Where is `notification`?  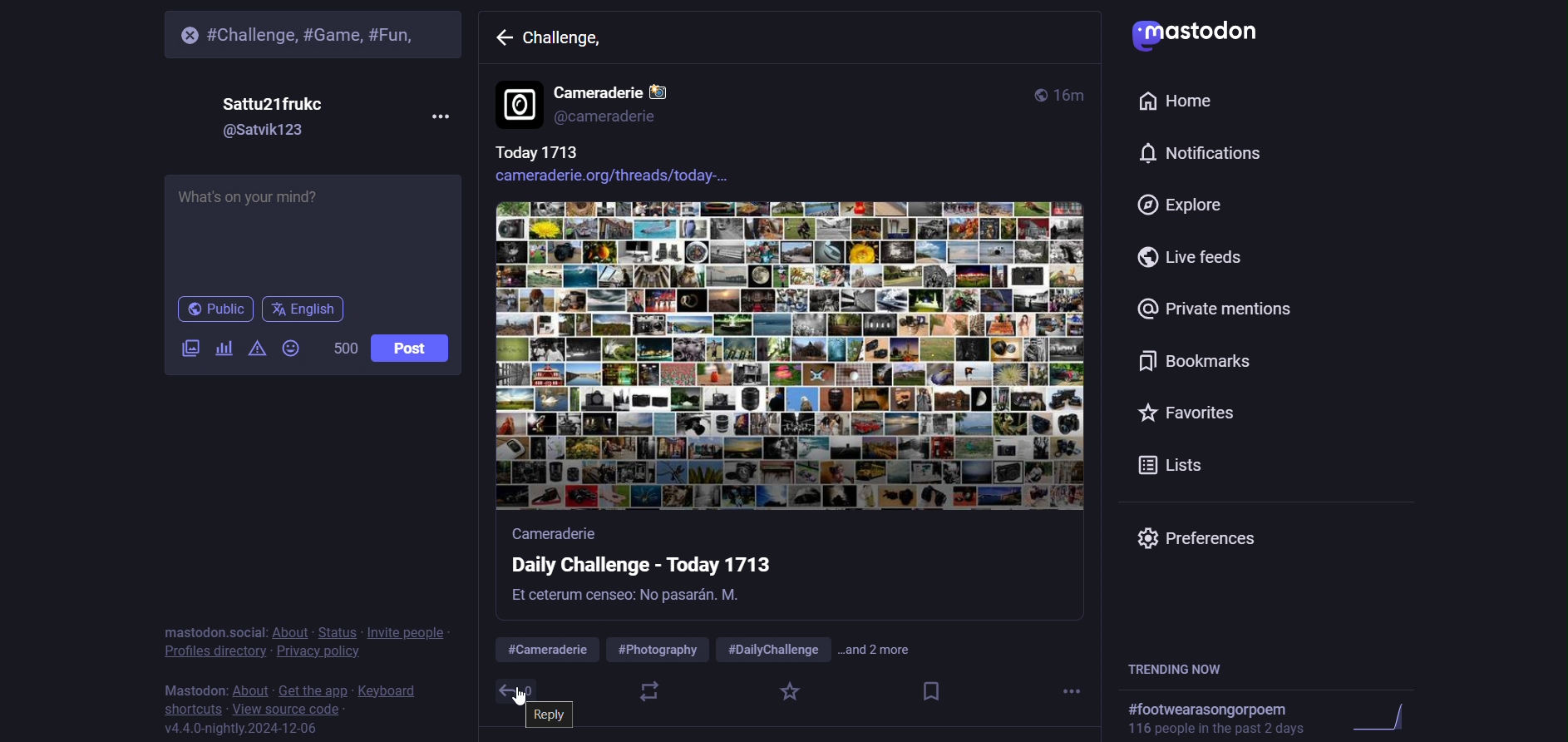
notification is located at coordinates (1196, 154).